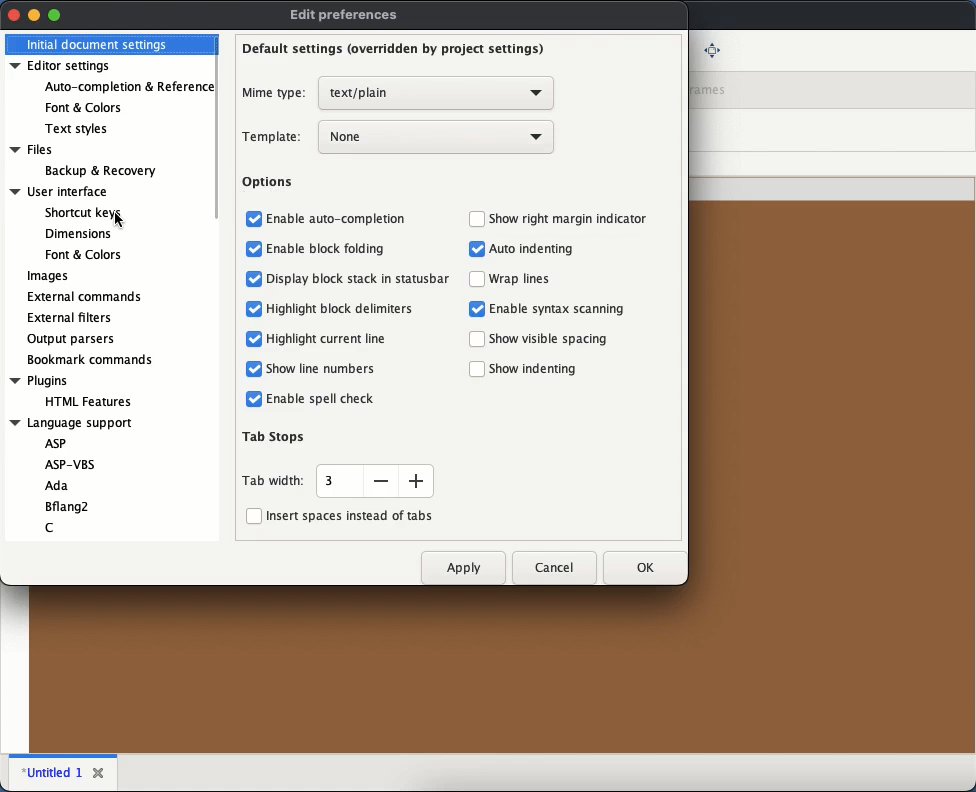 This screenshot has width=976, height=792. I want to click on Auto-completion & Reference, so click(128, 89).